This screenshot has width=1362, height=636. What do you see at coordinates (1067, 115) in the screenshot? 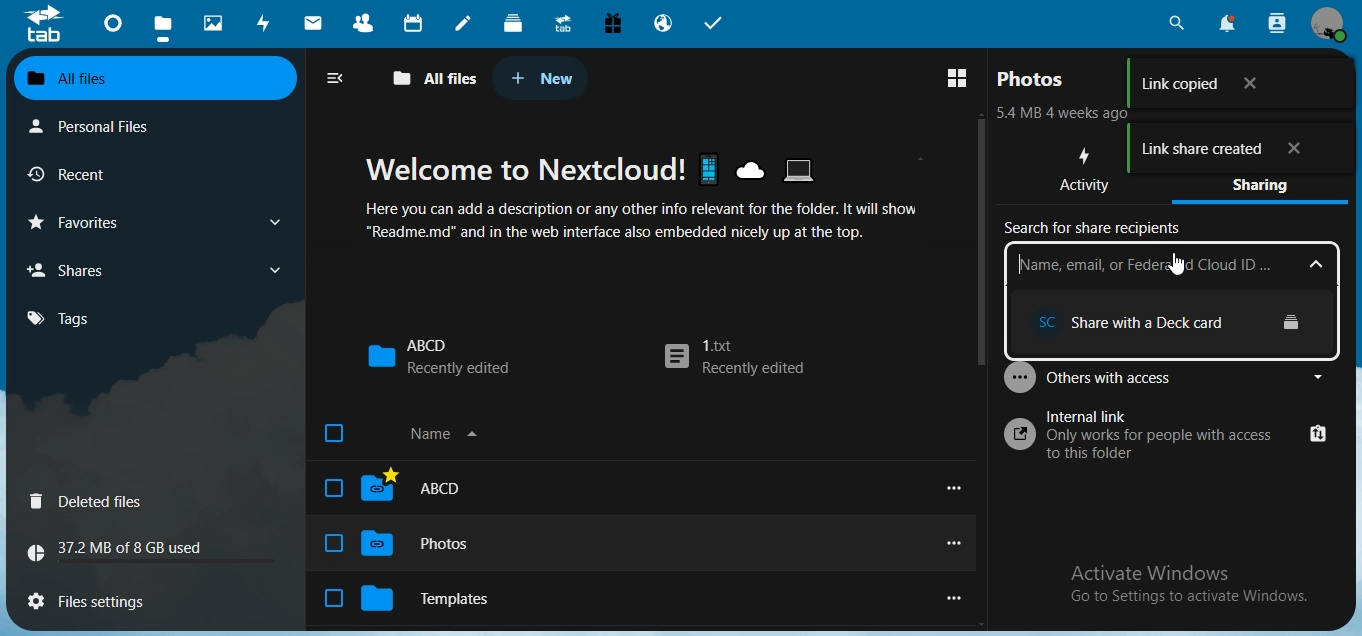
I see `text` at bounding box center [1067, 115].